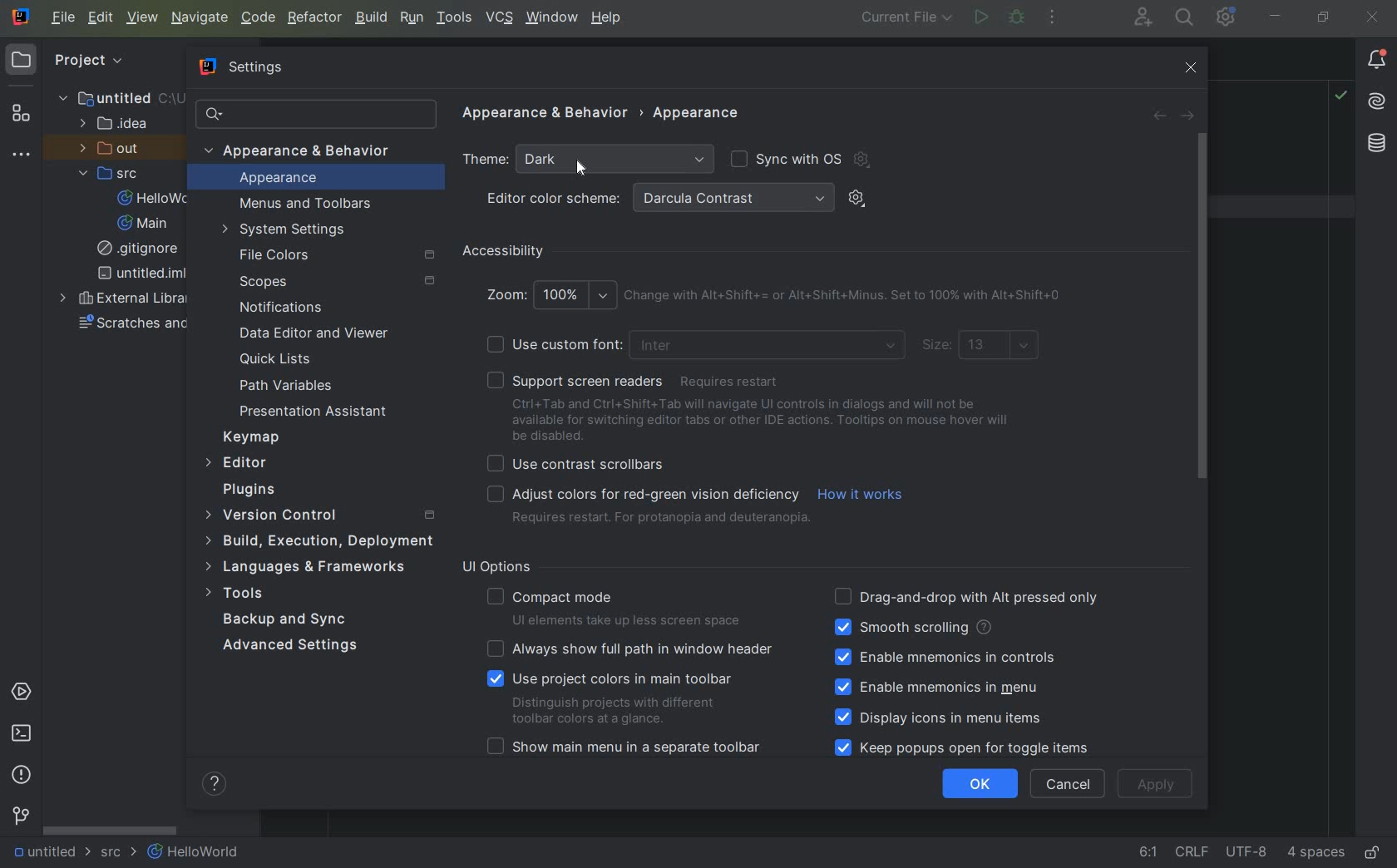 The image size is (1397, 868). I want to click on VERSION CONTROL, so click(318, 515).